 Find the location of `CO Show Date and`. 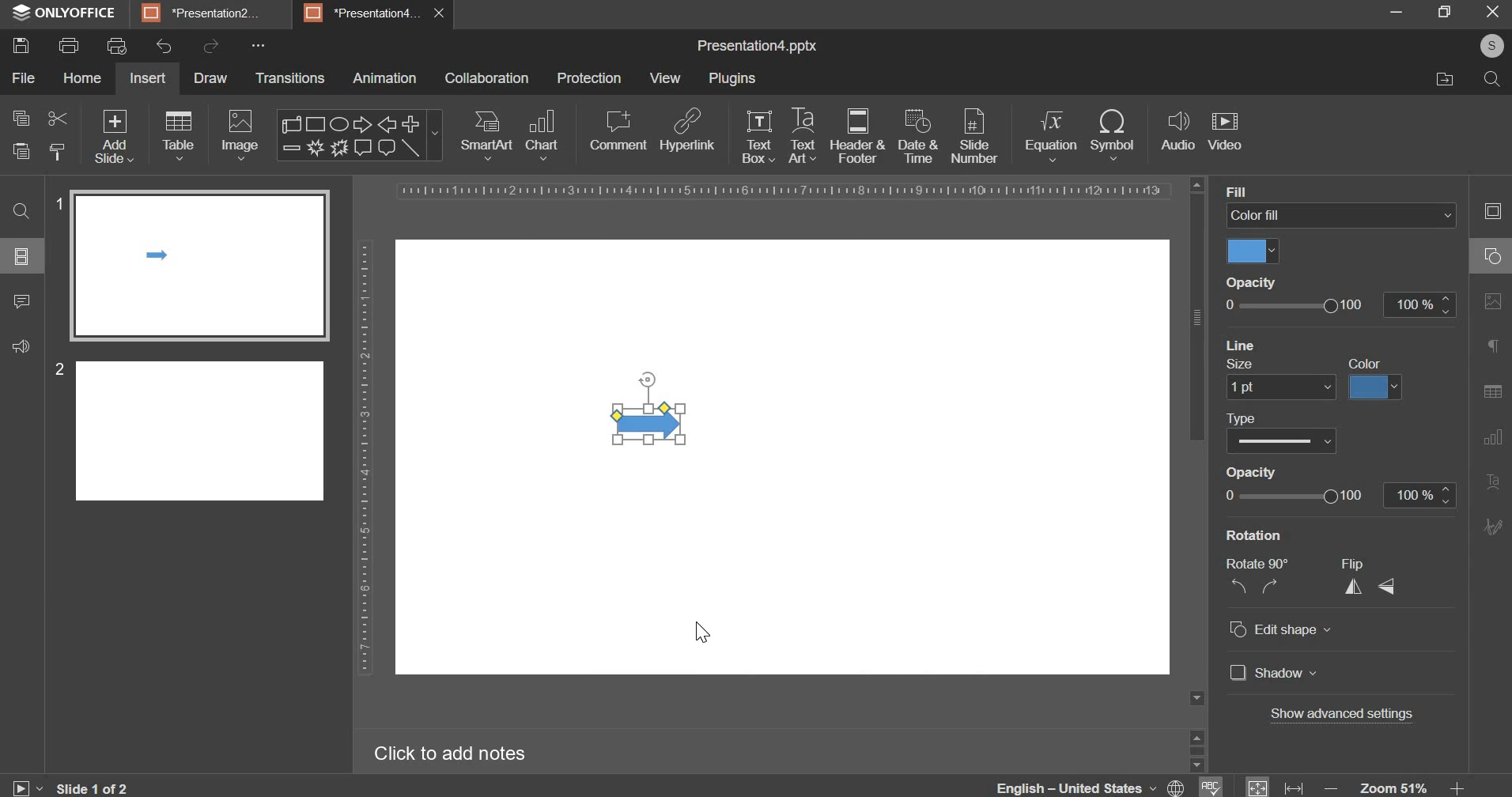

CO Show Date and is located at coordinates (1290, 441).